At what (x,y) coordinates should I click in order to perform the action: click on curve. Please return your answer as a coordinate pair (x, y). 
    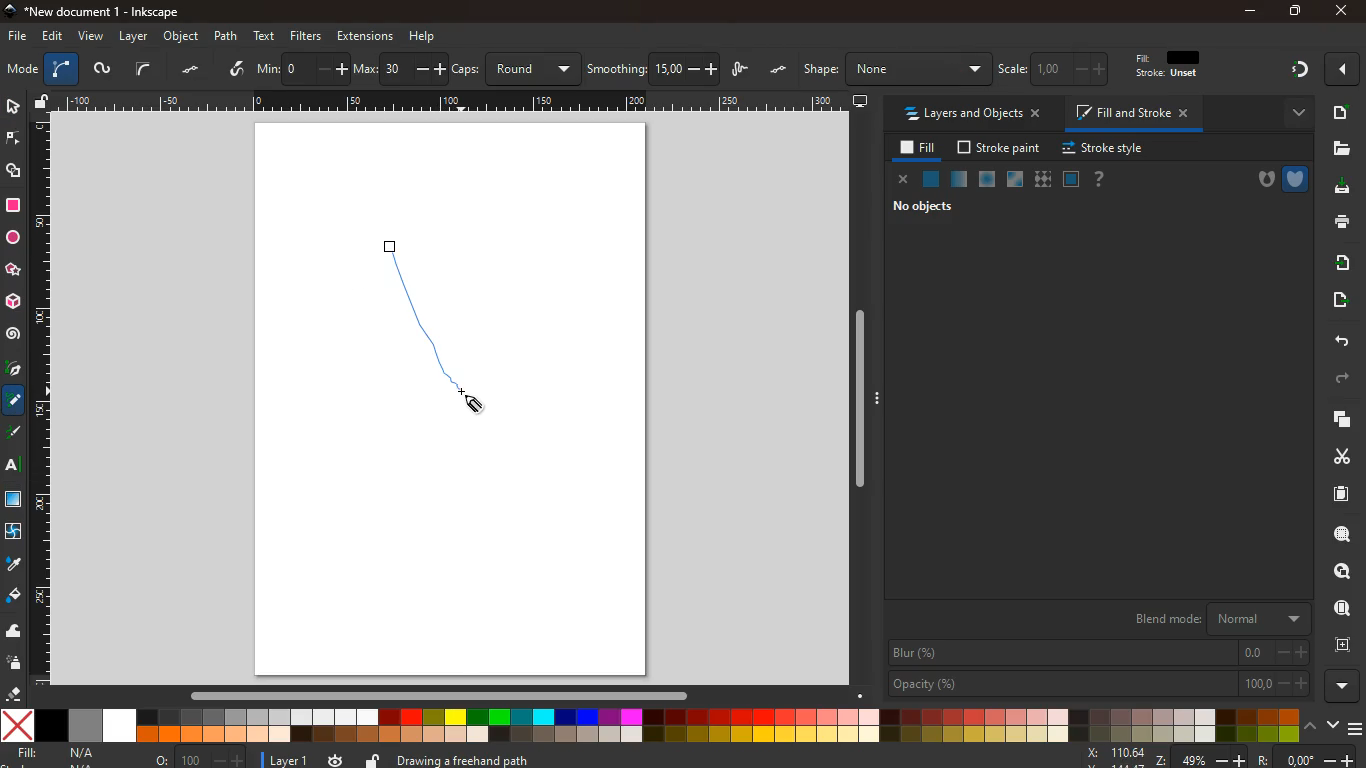
    Looking at the image, I should click on (143, 69).